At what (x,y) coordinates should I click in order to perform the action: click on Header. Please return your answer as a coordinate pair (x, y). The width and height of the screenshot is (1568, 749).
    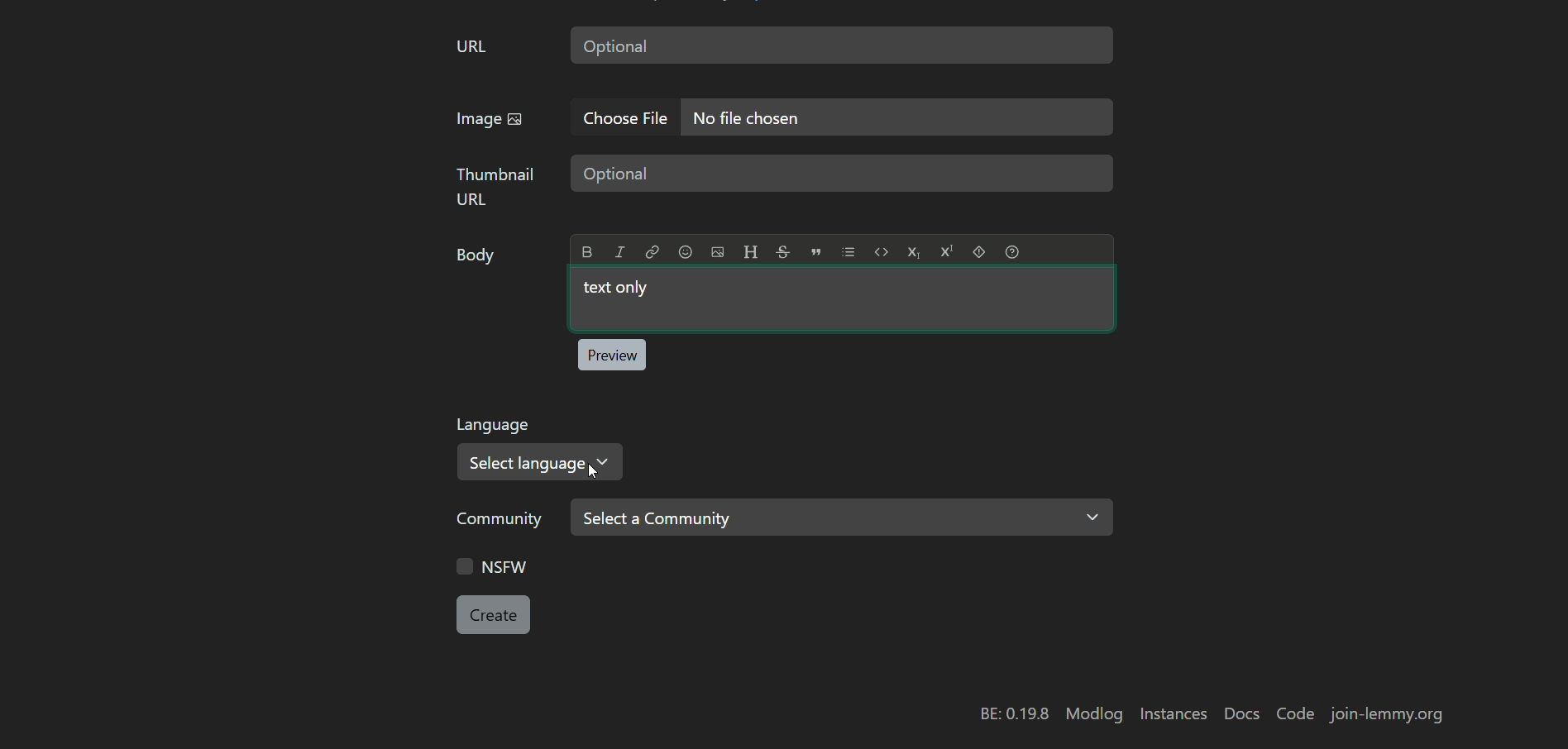
    Looking at the image, I should click on (750, 251).